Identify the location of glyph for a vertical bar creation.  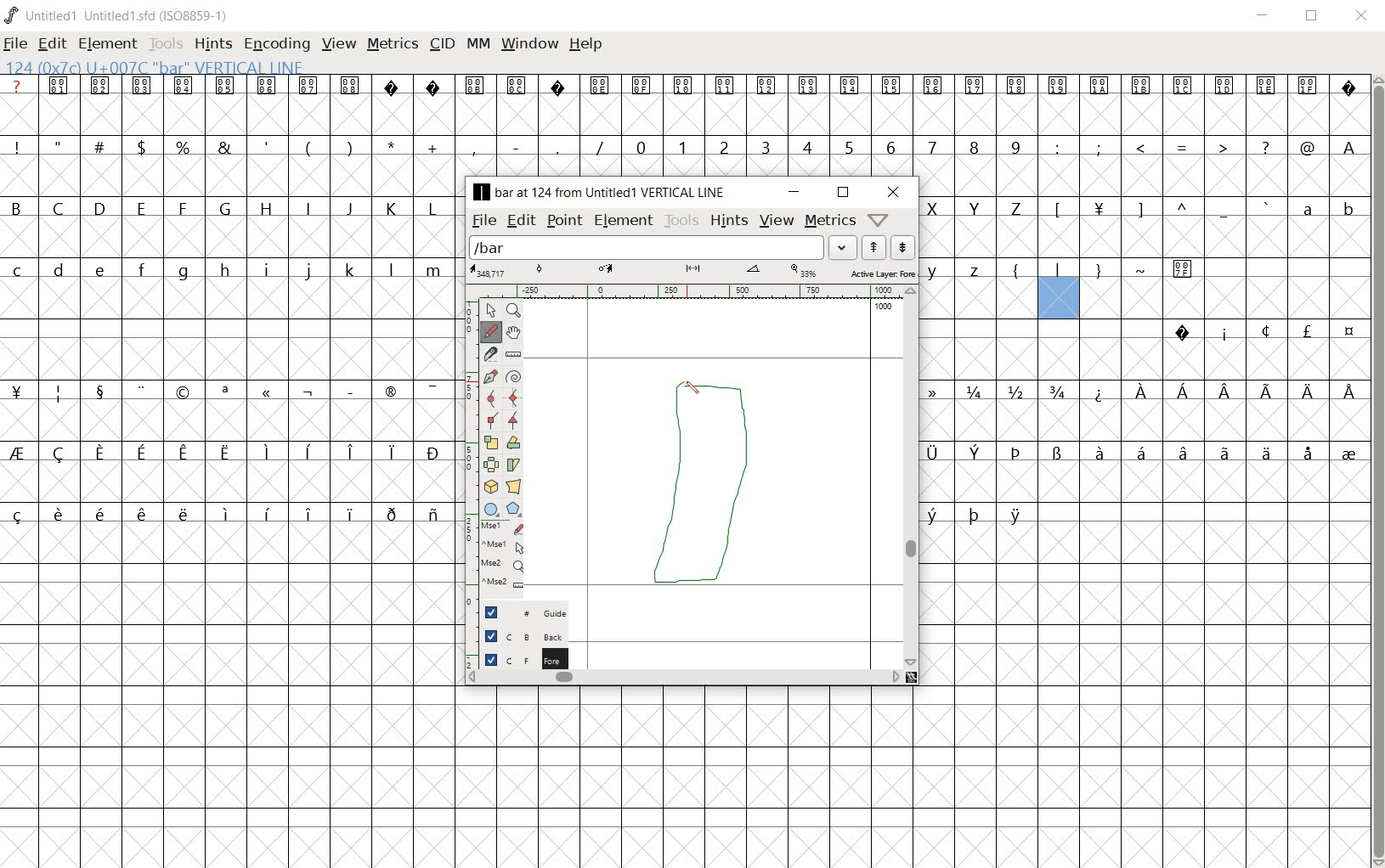
(692, 493).